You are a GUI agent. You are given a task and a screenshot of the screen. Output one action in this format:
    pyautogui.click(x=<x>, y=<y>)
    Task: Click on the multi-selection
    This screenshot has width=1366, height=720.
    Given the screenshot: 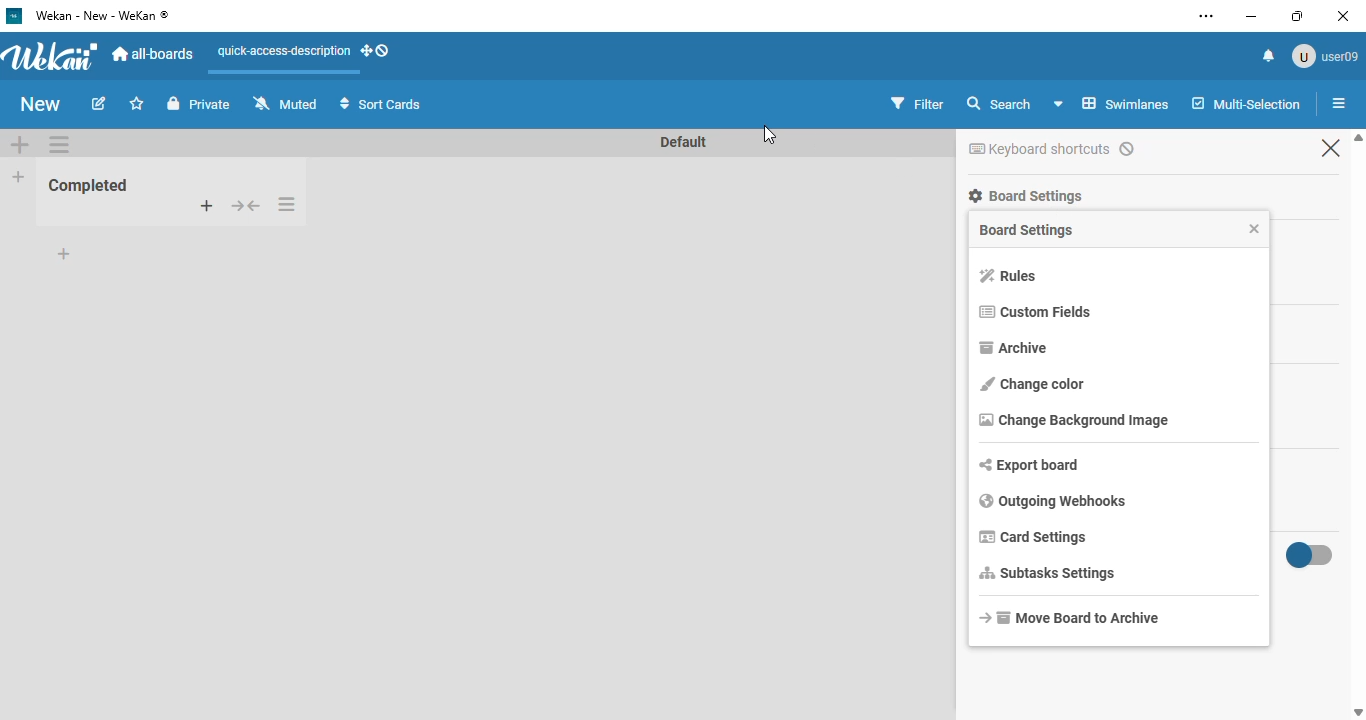 What is the action you would take?
    pyautogui.click(x=1247, y=104)
    